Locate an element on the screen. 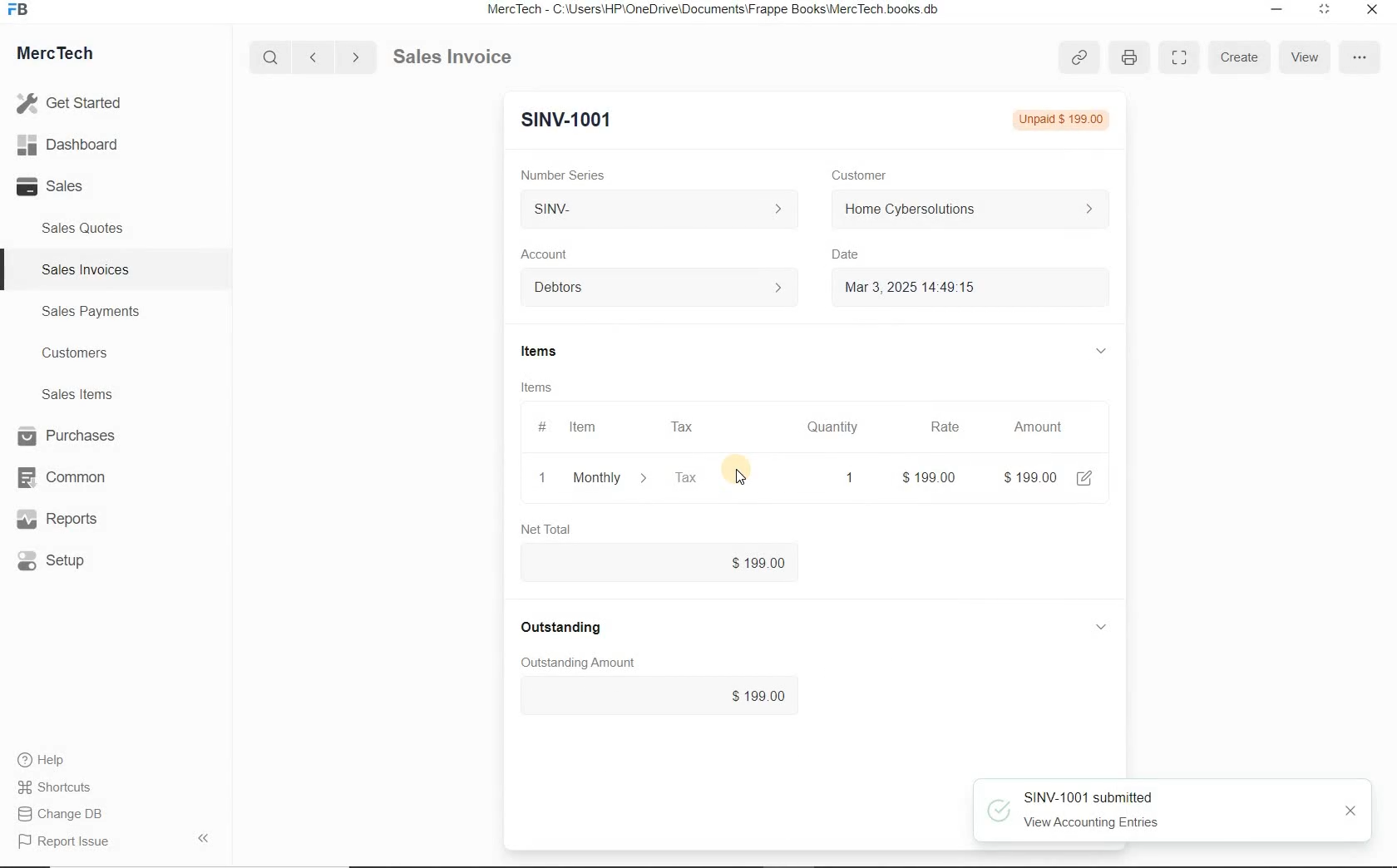 This screenshot has height=868, width=1397. Items is located at coordinates (539, 389).